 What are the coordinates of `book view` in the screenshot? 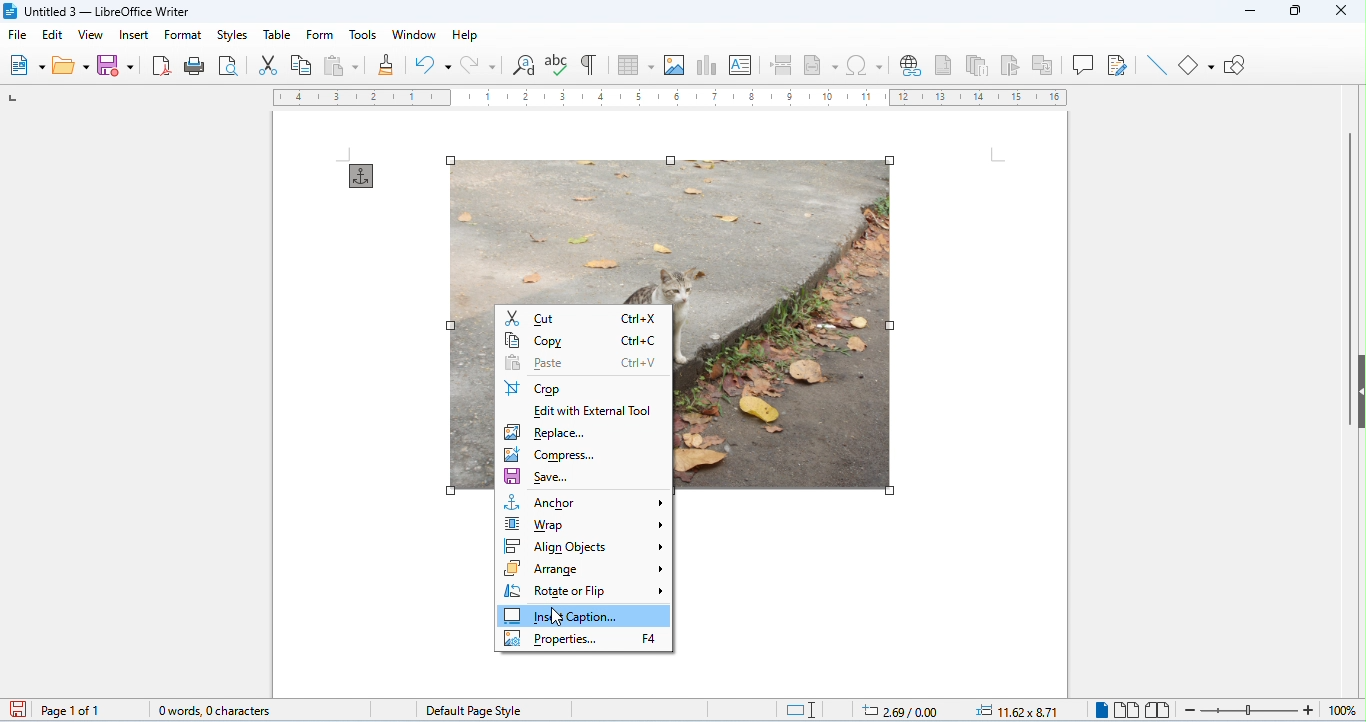 It's located at (1157, 710).